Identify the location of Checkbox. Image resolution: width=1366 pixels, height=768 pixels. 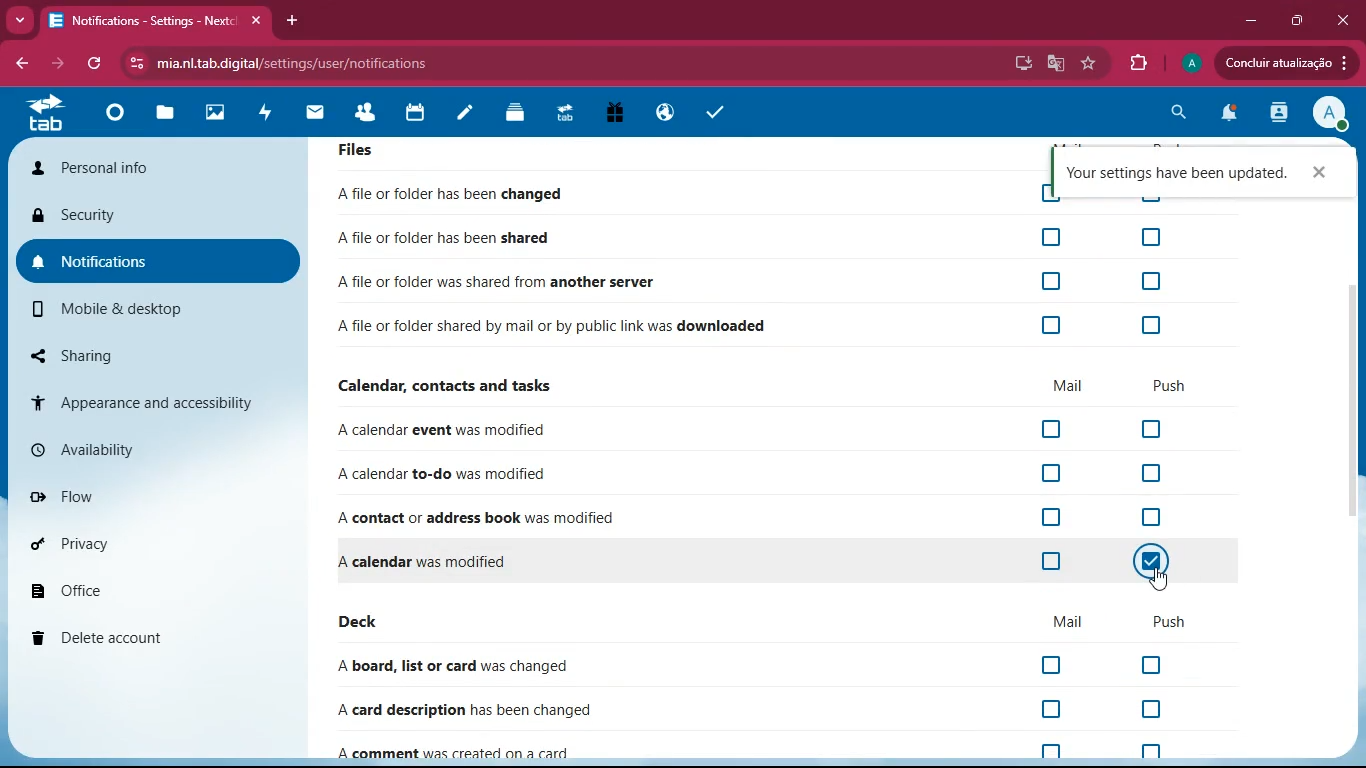
(1155, 279).